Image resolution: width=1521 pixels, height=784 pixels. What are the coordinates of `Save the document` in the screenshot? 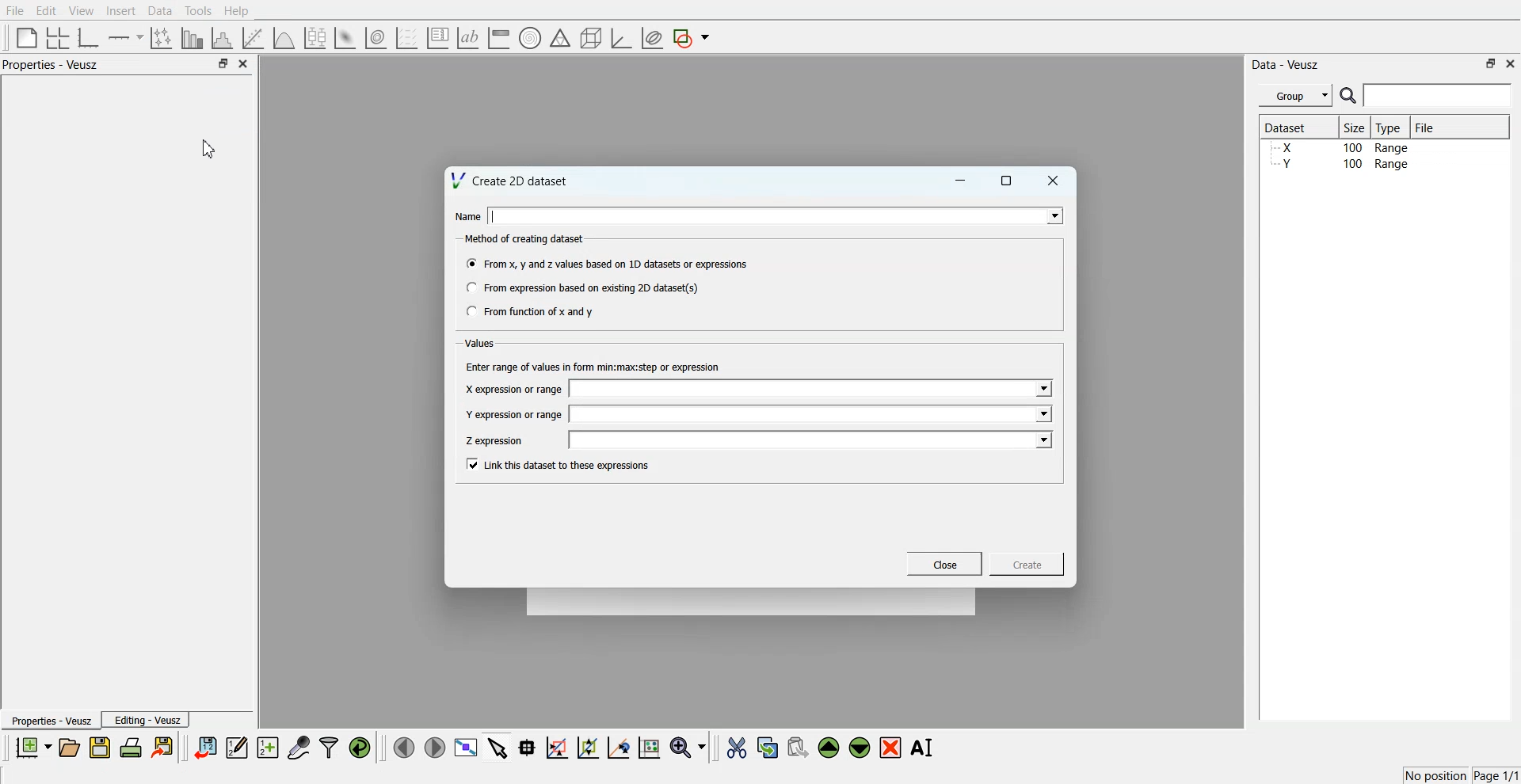 It's located at (100, 747).